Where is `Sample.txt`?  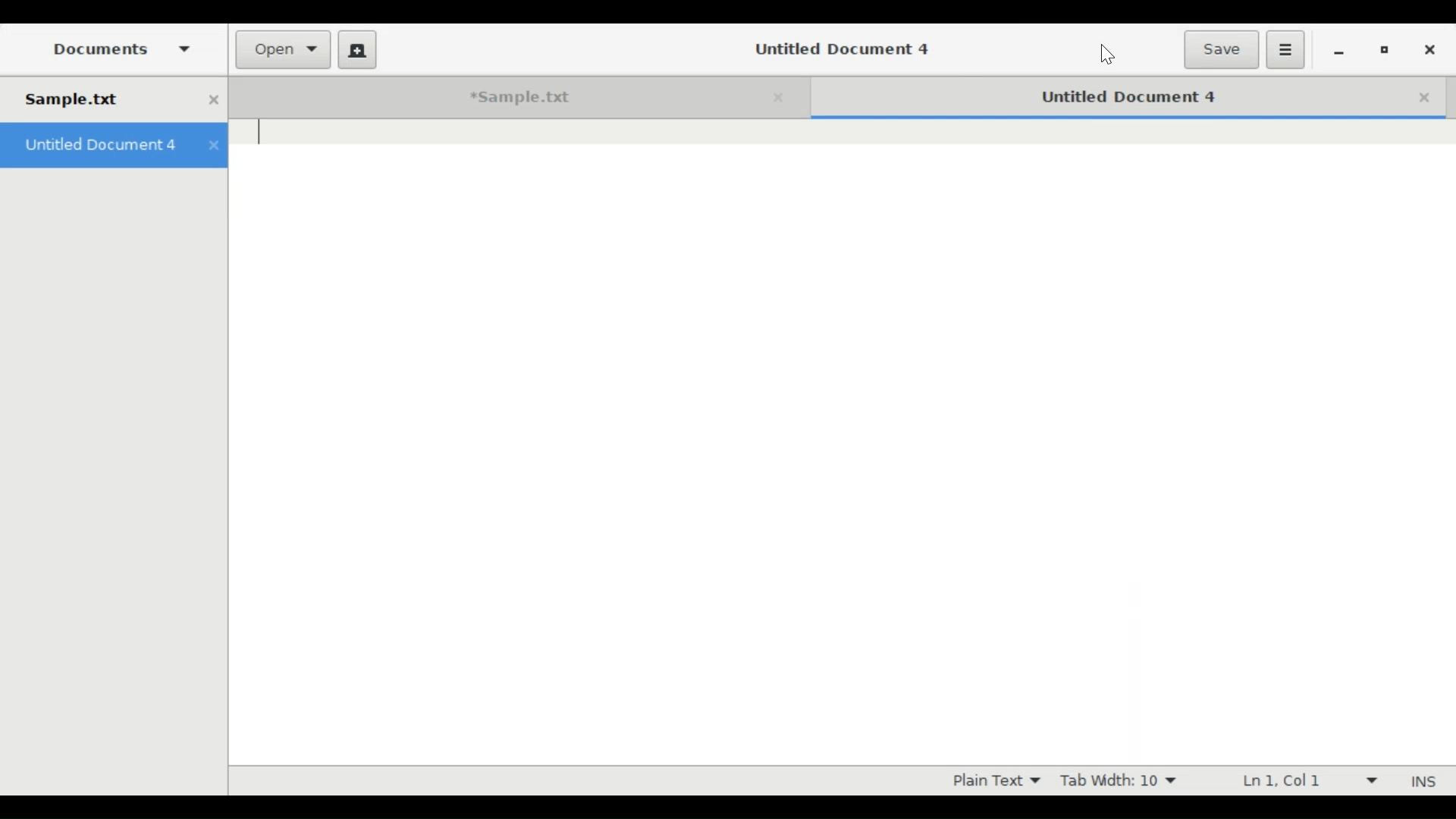 Sample.txt is located at coordinates (100, 99).